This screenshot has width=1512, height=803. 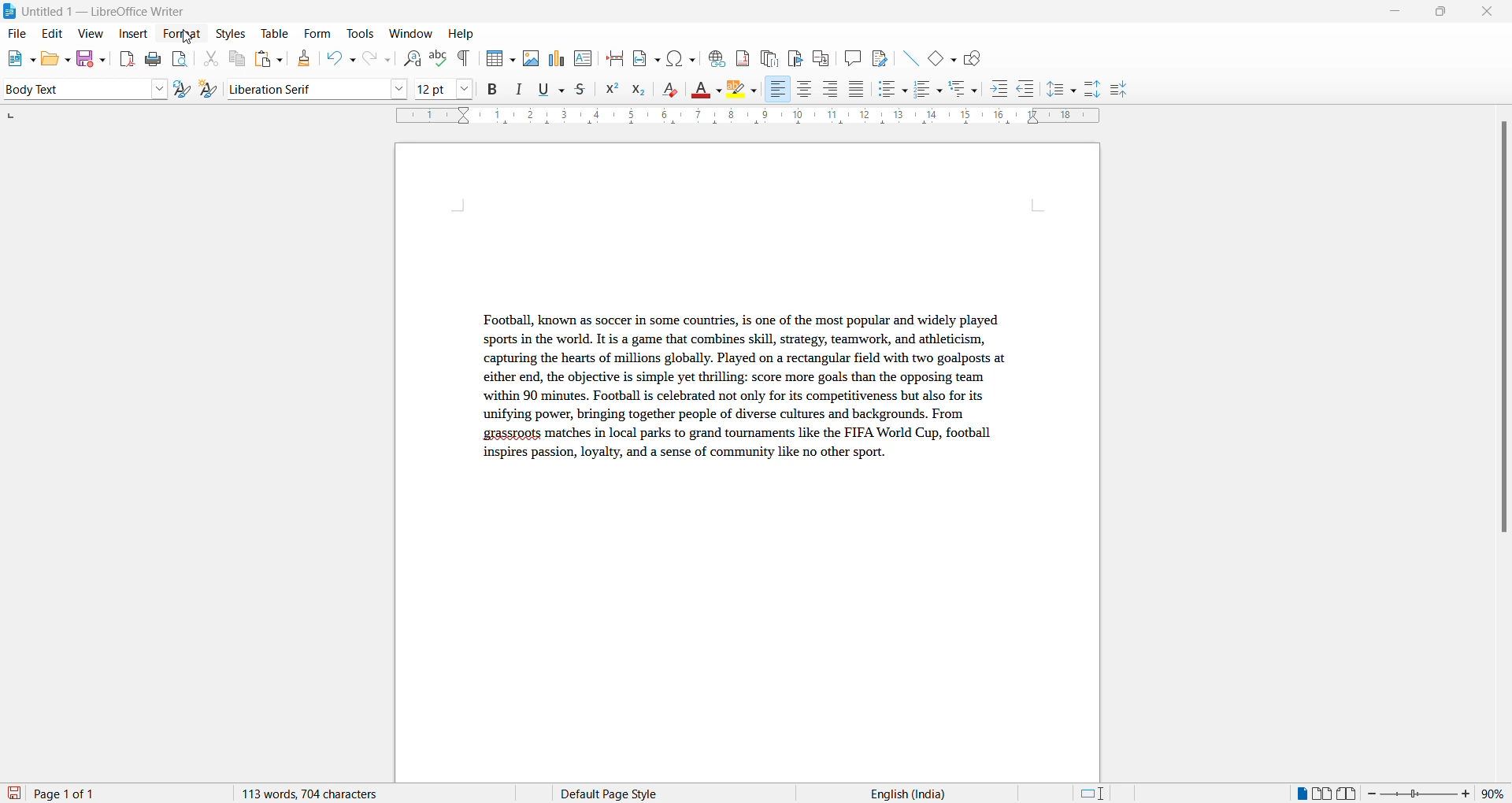 What do you see at coordinates (739, 55) in the screenshot?
I see `insert footnote` at bounding box center [739, 55].